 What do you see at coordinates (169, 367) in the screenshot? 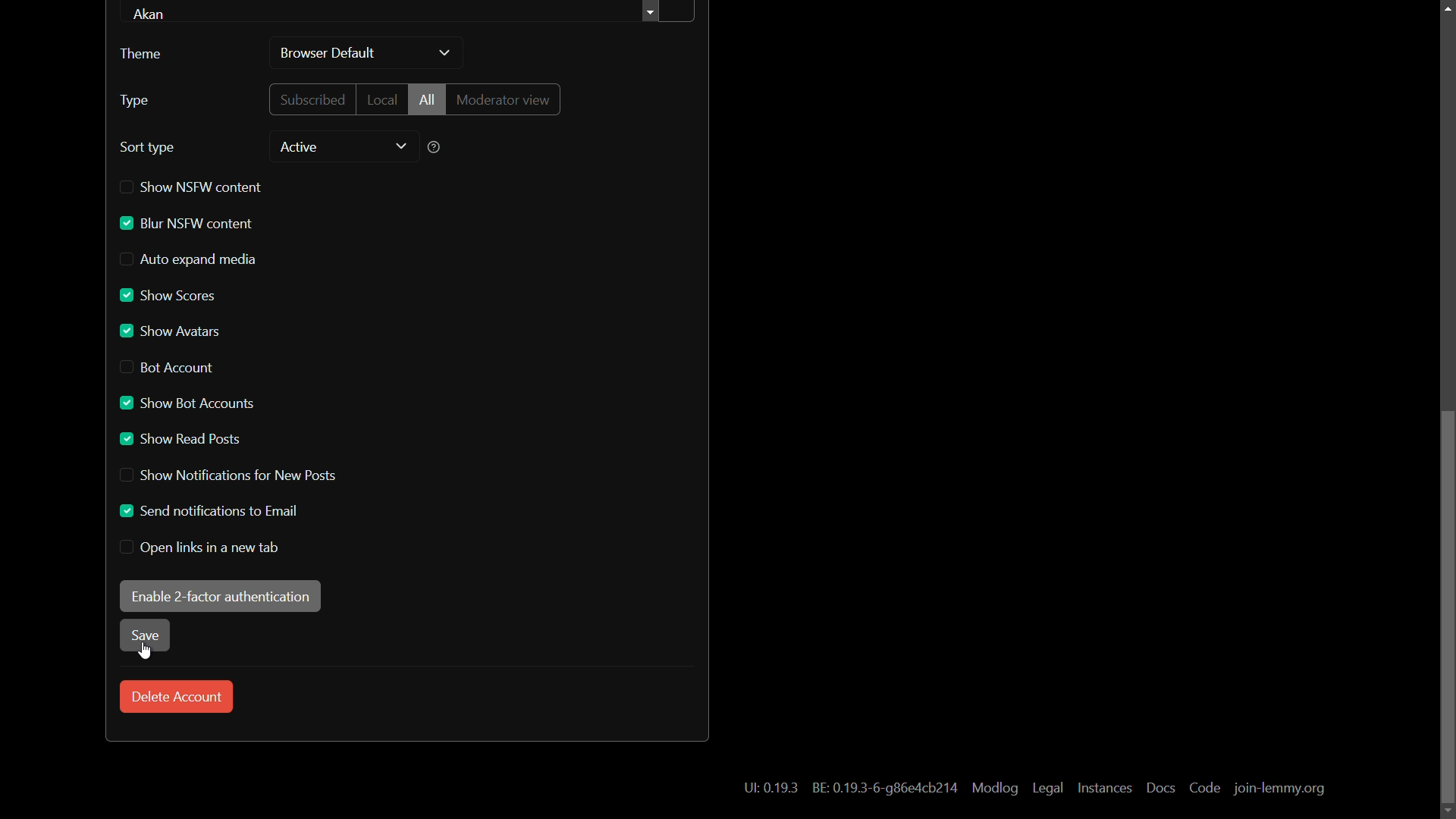
I see `bot account` at bounding box center [169, 367].